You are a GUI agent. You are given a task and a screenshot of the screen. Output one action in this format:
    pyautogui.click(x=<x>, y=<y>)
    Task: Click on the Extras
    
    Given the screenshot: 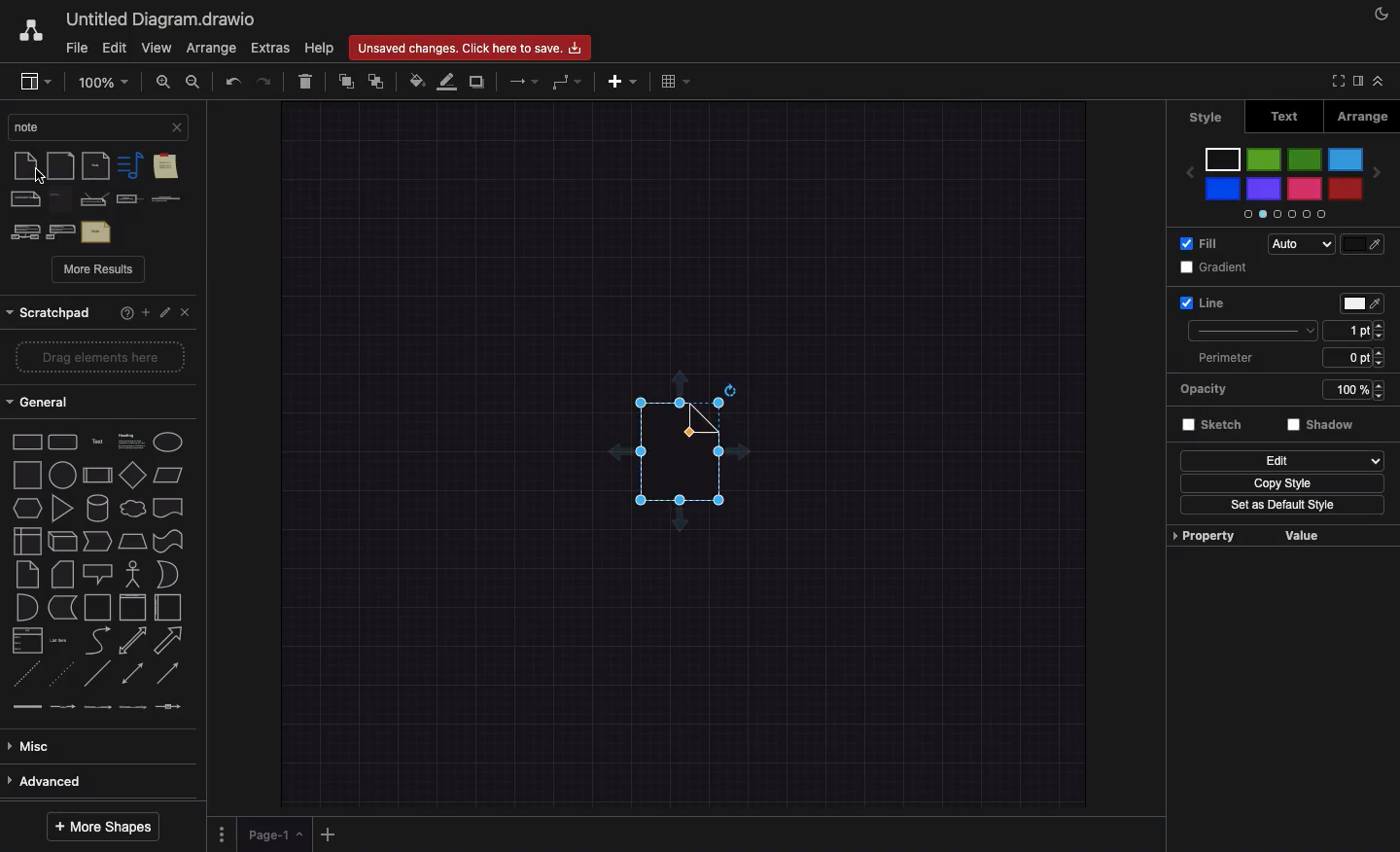 What is the action you would take?
    pyautogui.click(x=270, y=48)
    